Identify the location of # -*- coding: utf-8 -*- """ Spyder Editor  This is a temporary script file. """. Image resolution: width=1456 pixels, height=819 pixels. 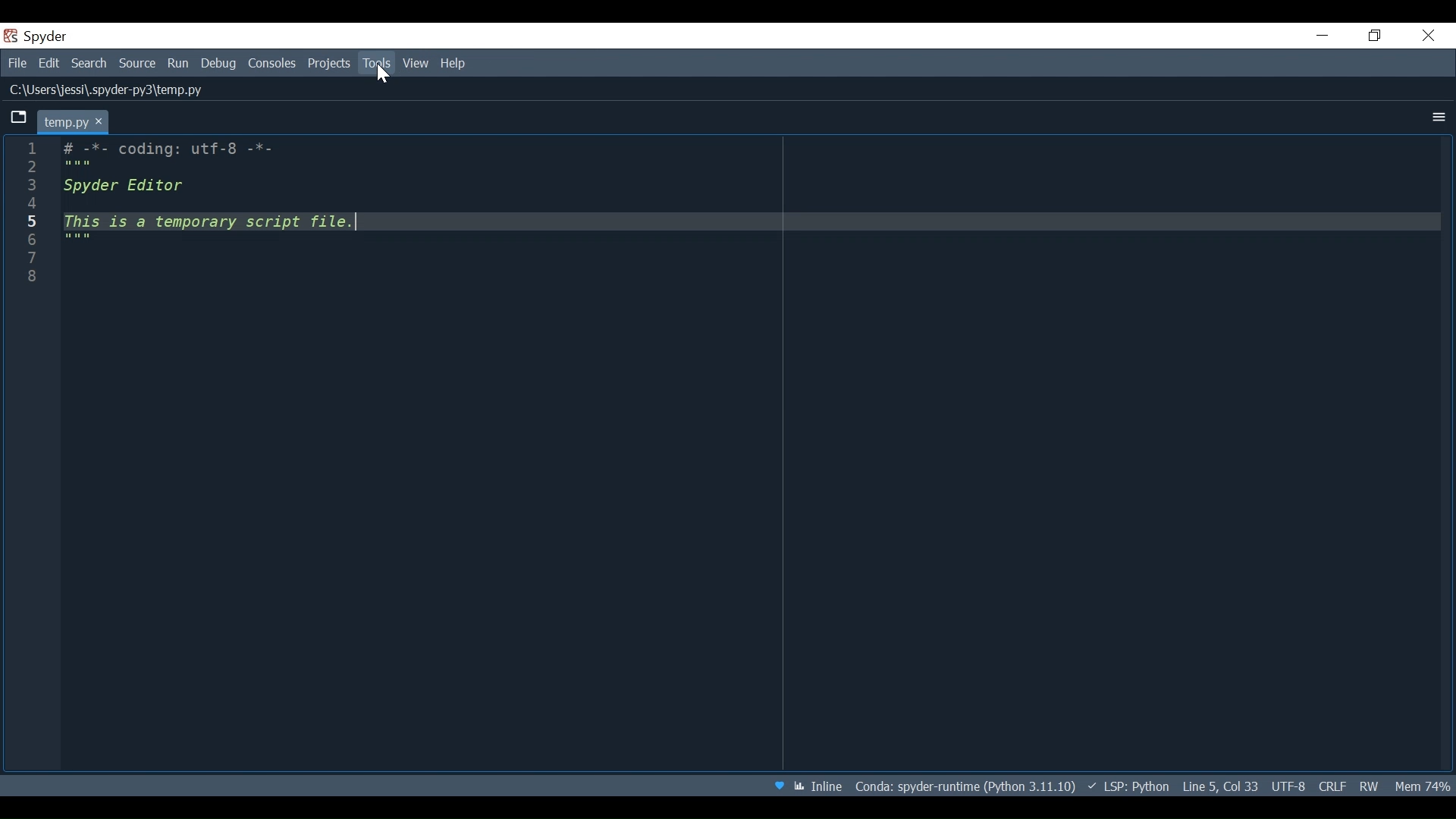
(752, 457).